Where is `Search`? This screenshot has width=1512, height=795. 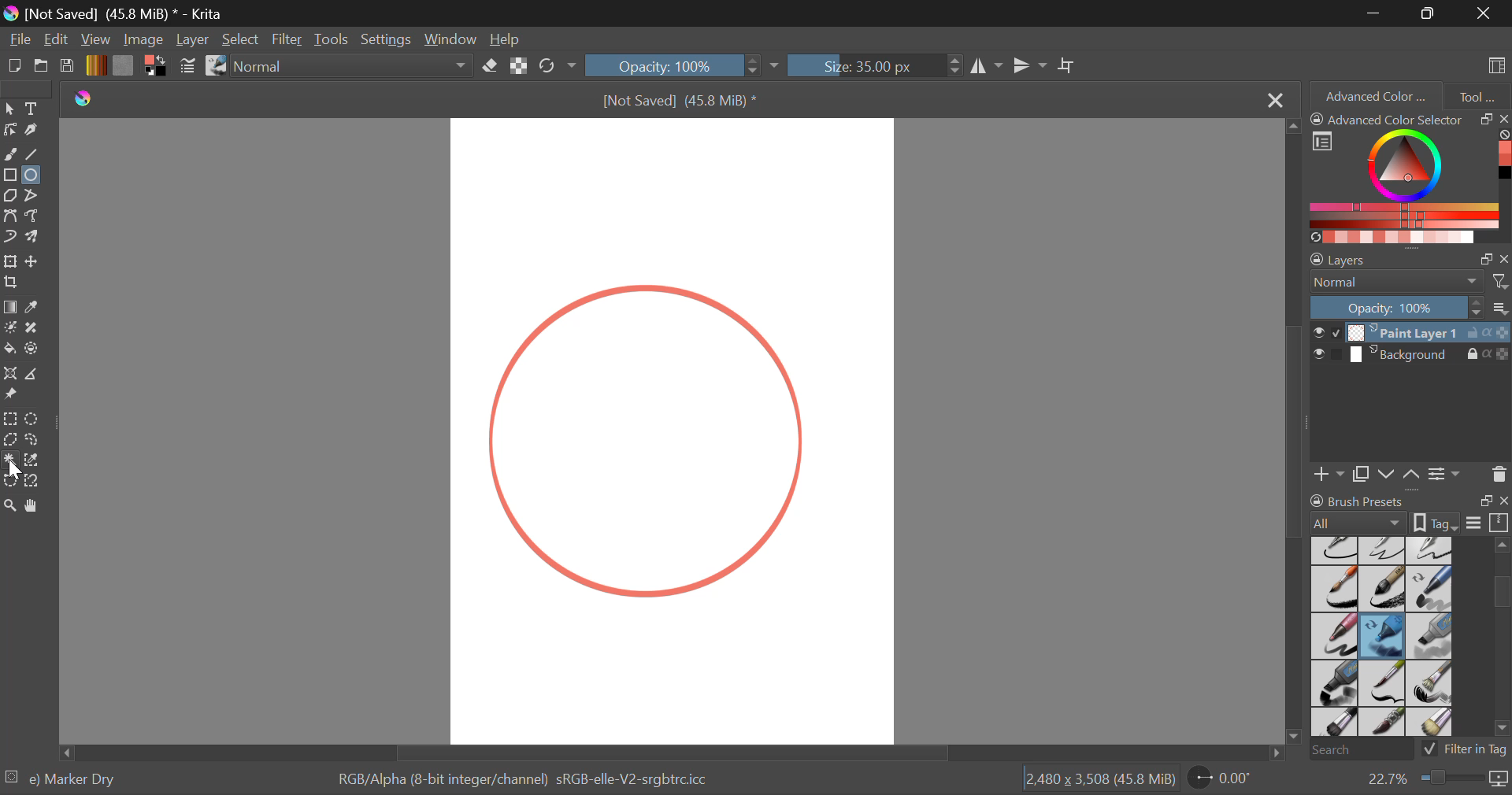
Search is located at coordinates (1357, 751).